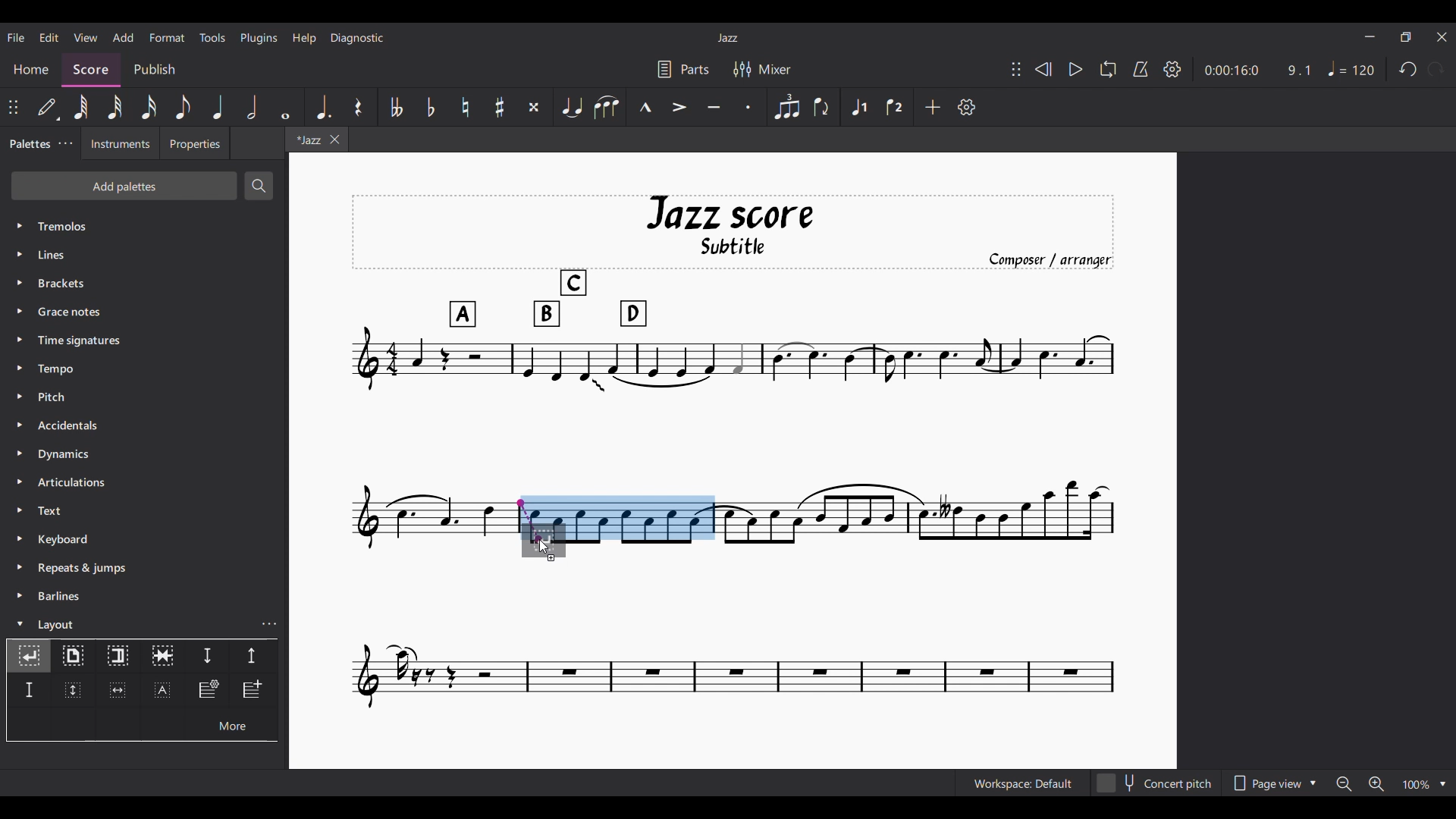  What do you see at coordinates (144, 340) in the screenshot?
I see `Time signatures` at bounding box center [144, 340].